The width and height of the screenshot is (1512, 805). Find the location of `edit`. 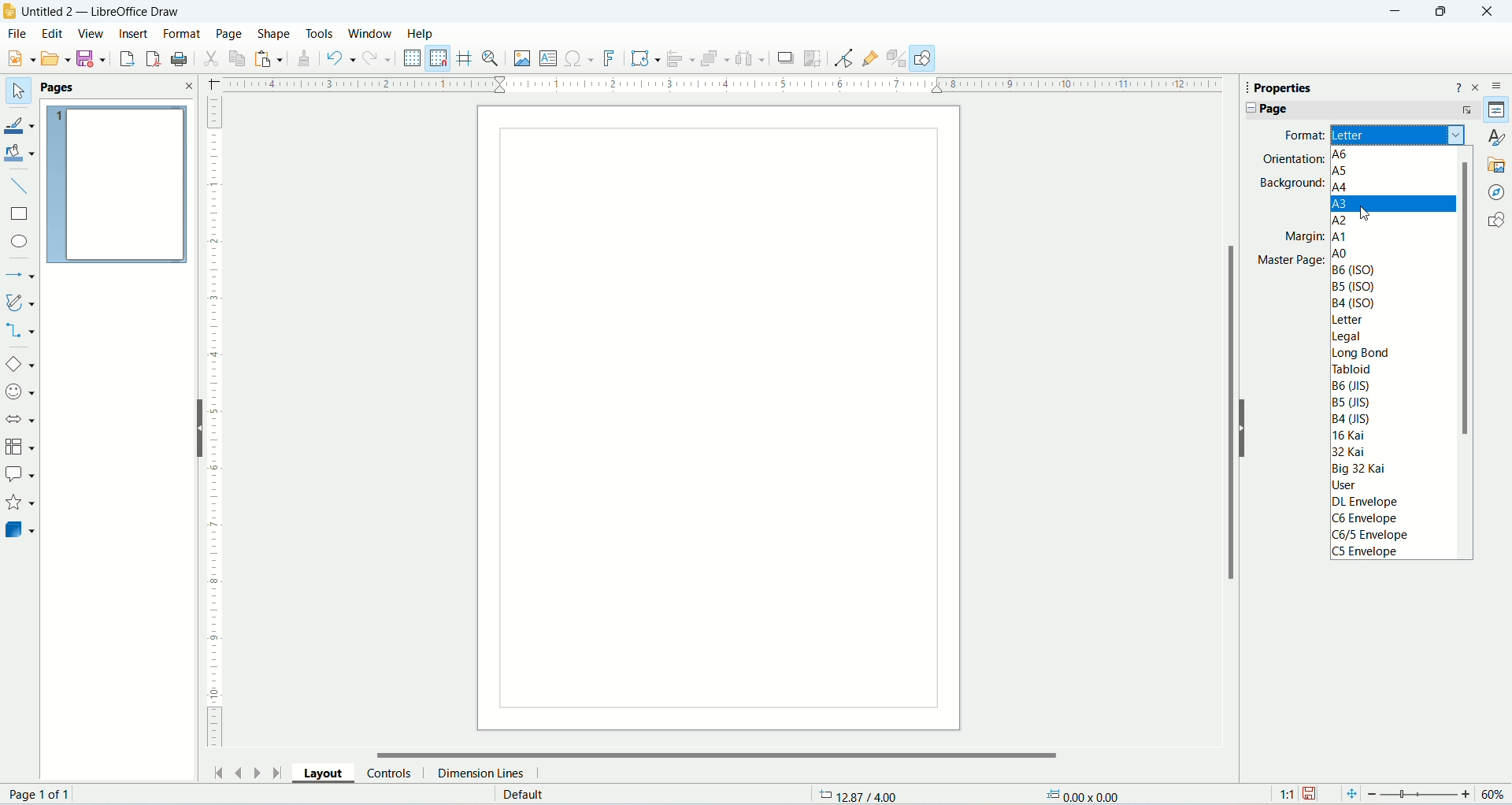

edit is located at coordinates (52, 33).